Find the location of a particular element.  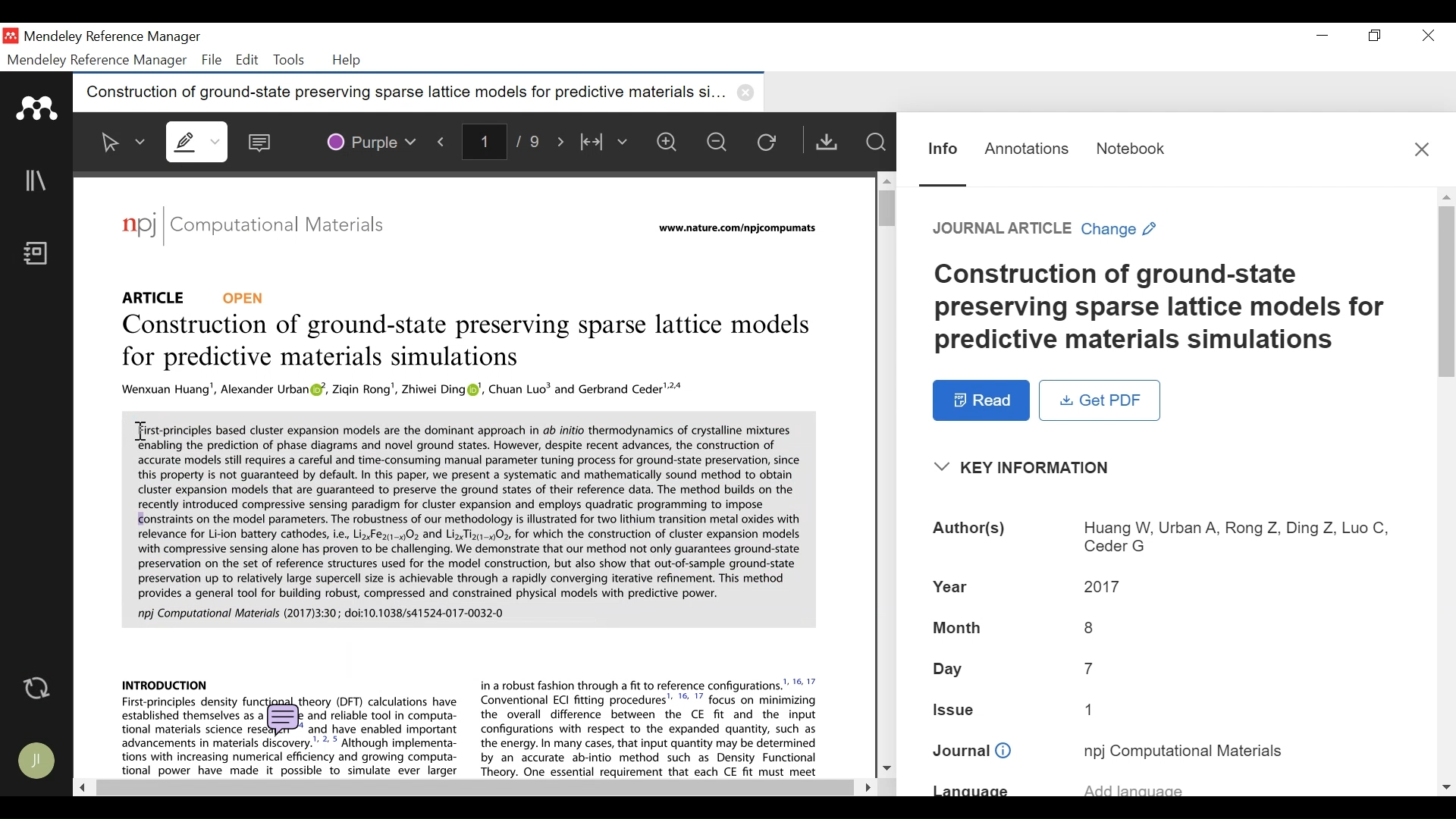

Reference Type is located at coordinates (195, 297).